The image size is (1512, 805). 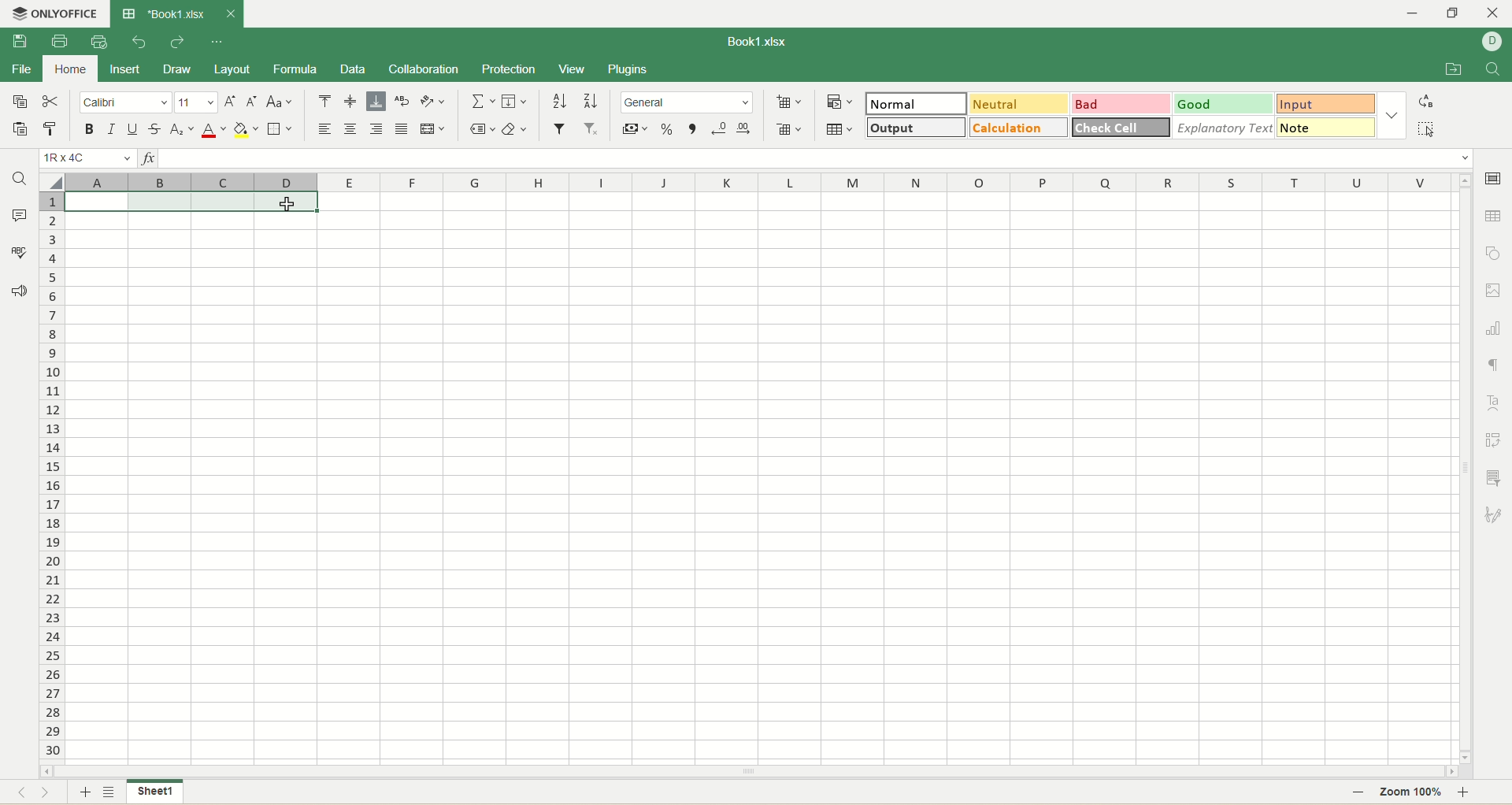 What do you see at coordinates (1123, 104) in the screenshot?
I see `bad` at bounding box center [1123, 104].